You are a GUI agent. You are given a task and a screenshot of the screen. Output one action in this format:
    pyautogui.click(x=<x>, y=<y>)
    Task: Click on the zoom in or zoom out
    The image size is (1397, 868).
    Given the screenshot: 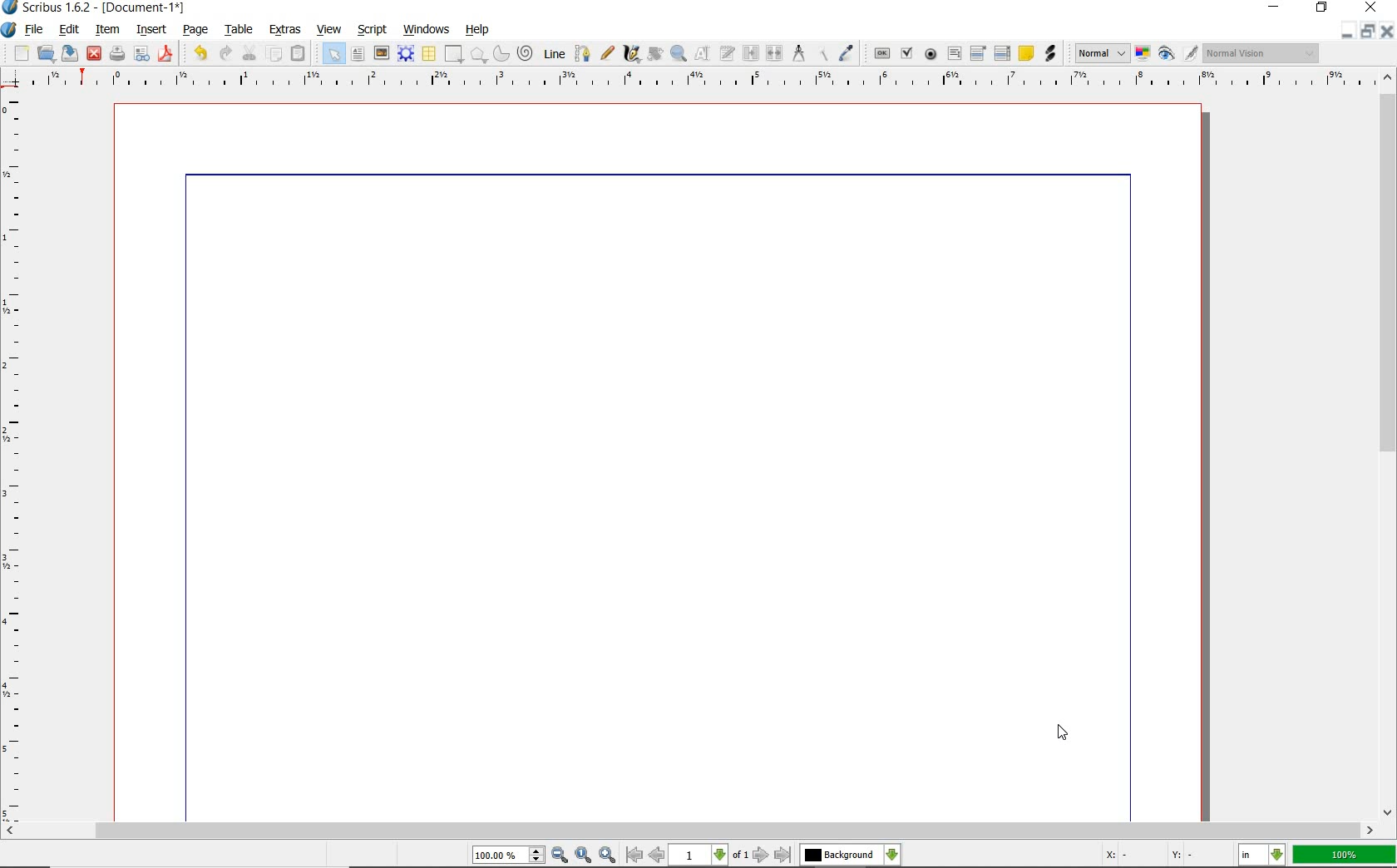 What is the action you would take?
    pyautogui.click(x=679, y=55)
    